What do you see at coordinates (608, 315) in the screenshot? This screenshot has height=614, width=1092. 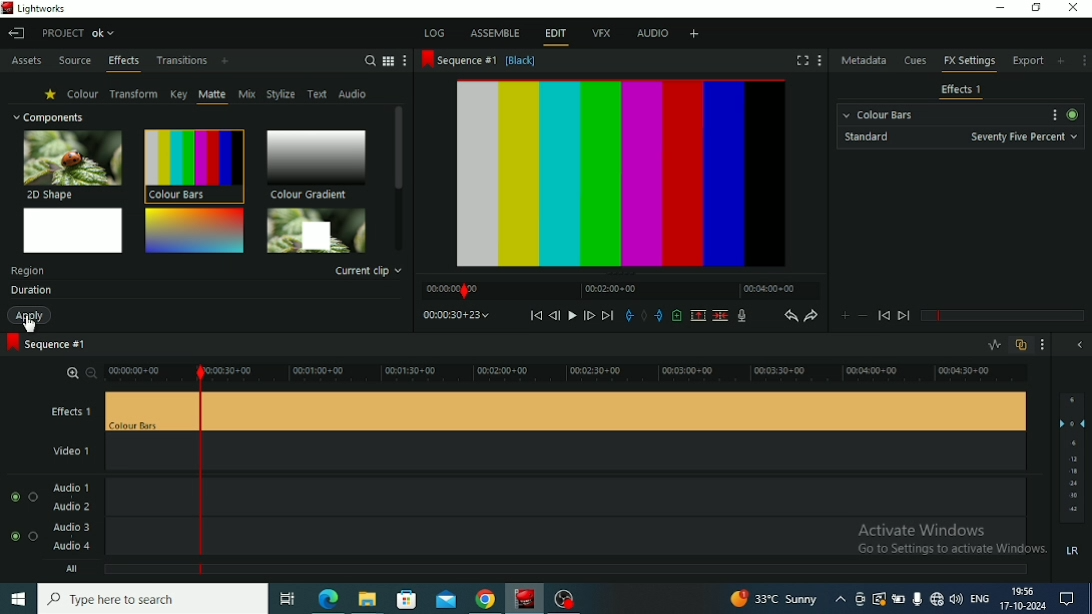 I see `Move forward` at bounding box center [608, 315].